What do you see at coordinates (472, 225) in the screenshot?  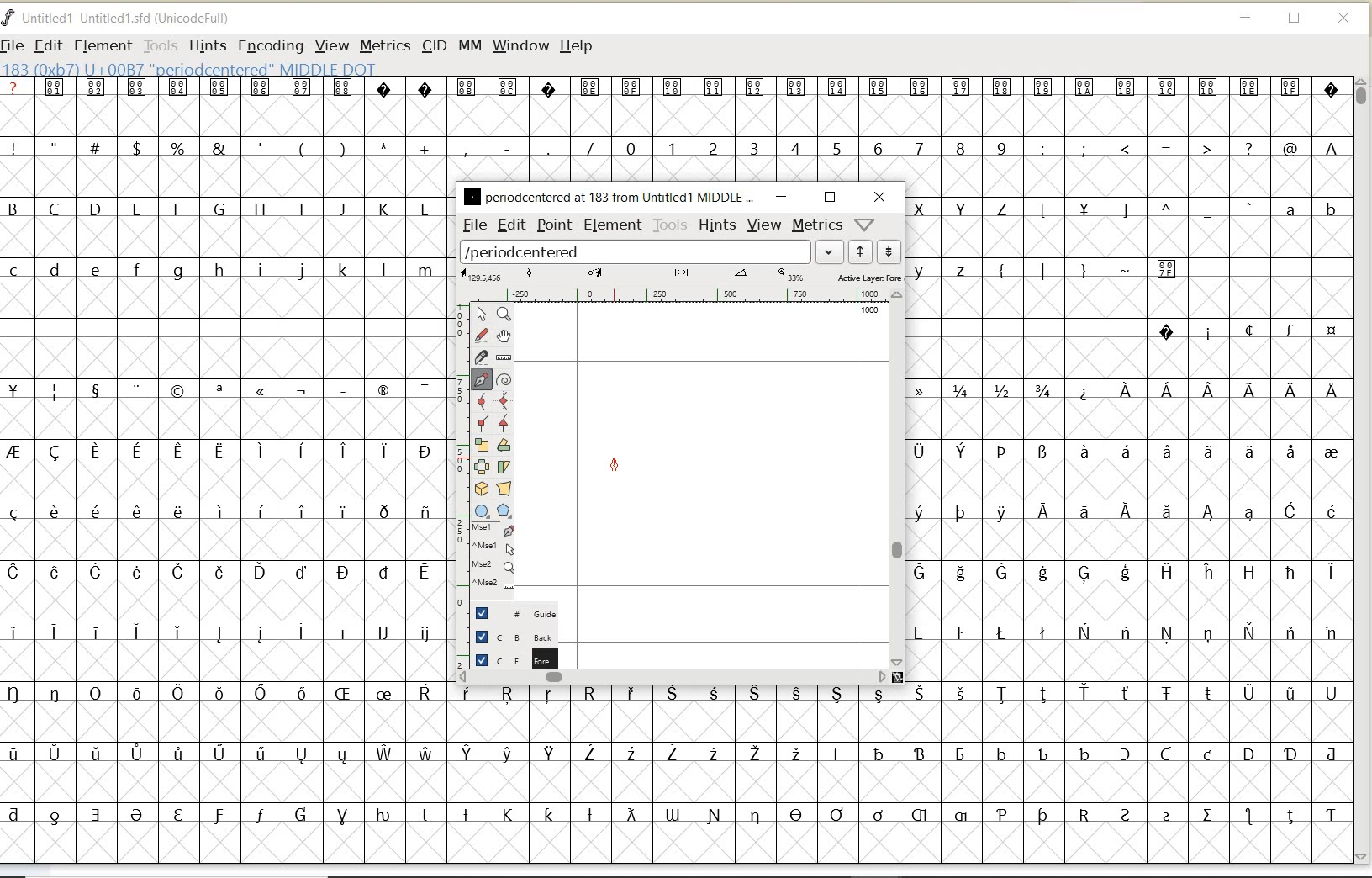 I see `file` at bounding box center [472, 225].